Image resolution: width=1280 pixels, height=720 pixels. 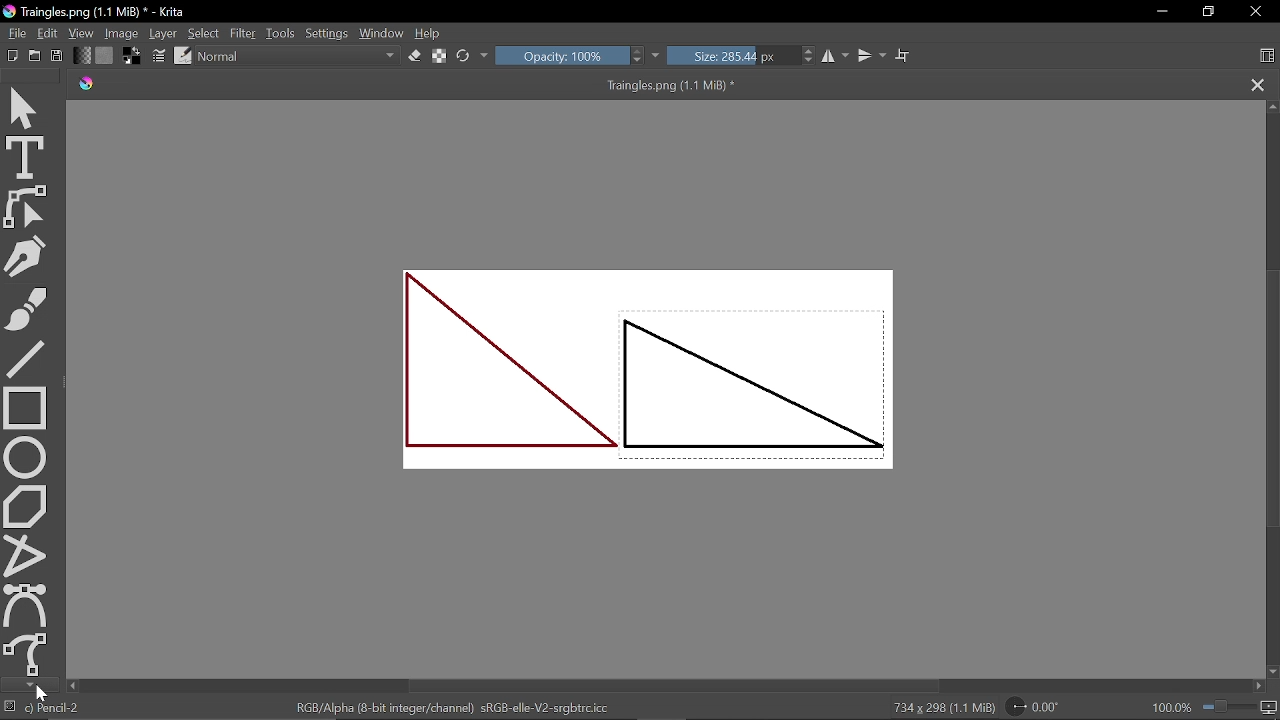 What do you see at coordinates (203, 33) in the screenshot?
I see `Select` at bounding box center [203, 33].